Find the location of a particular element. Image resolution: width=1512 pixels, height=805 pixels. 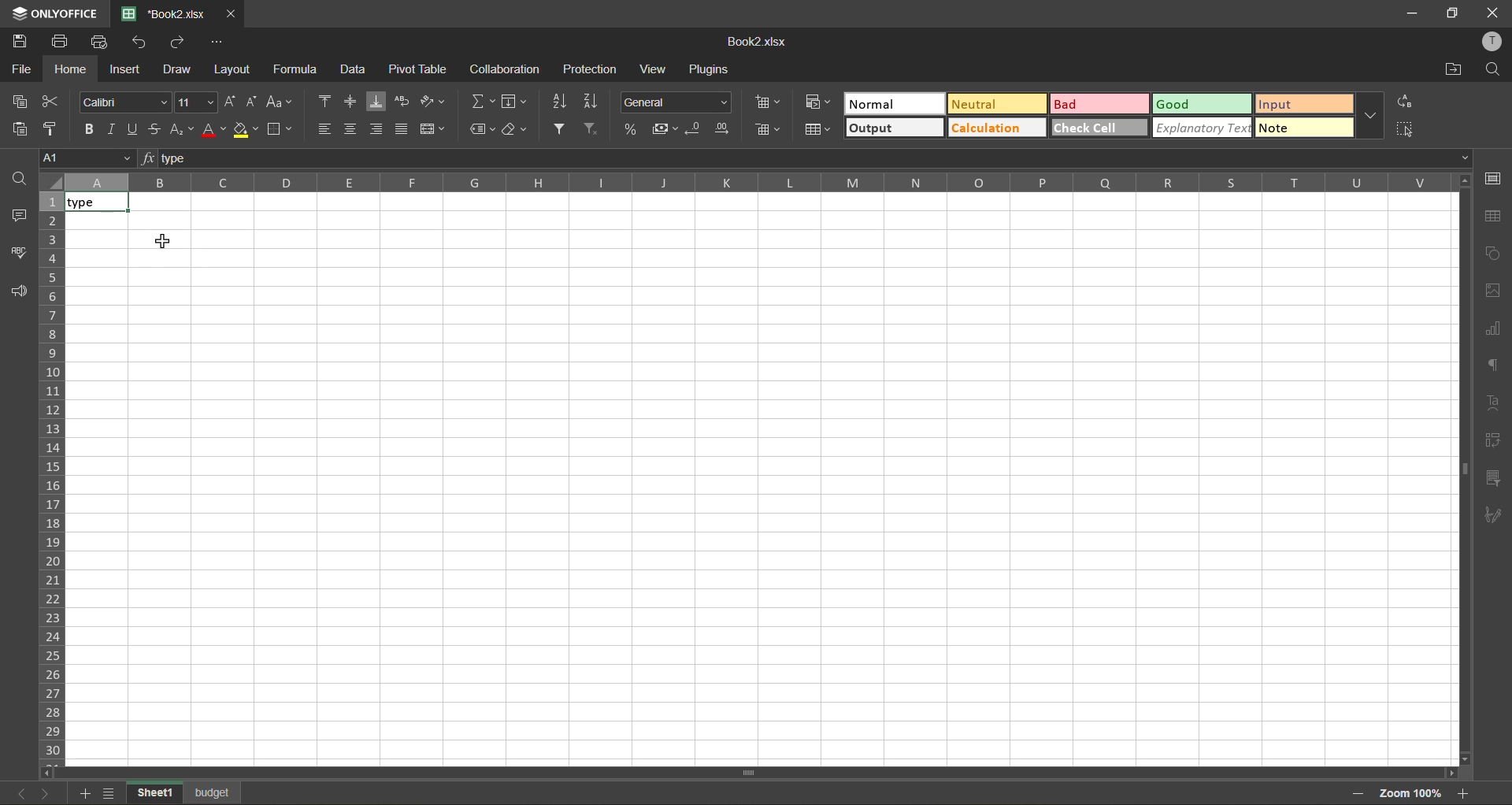

delete cells is located at coordinates (770, 131).